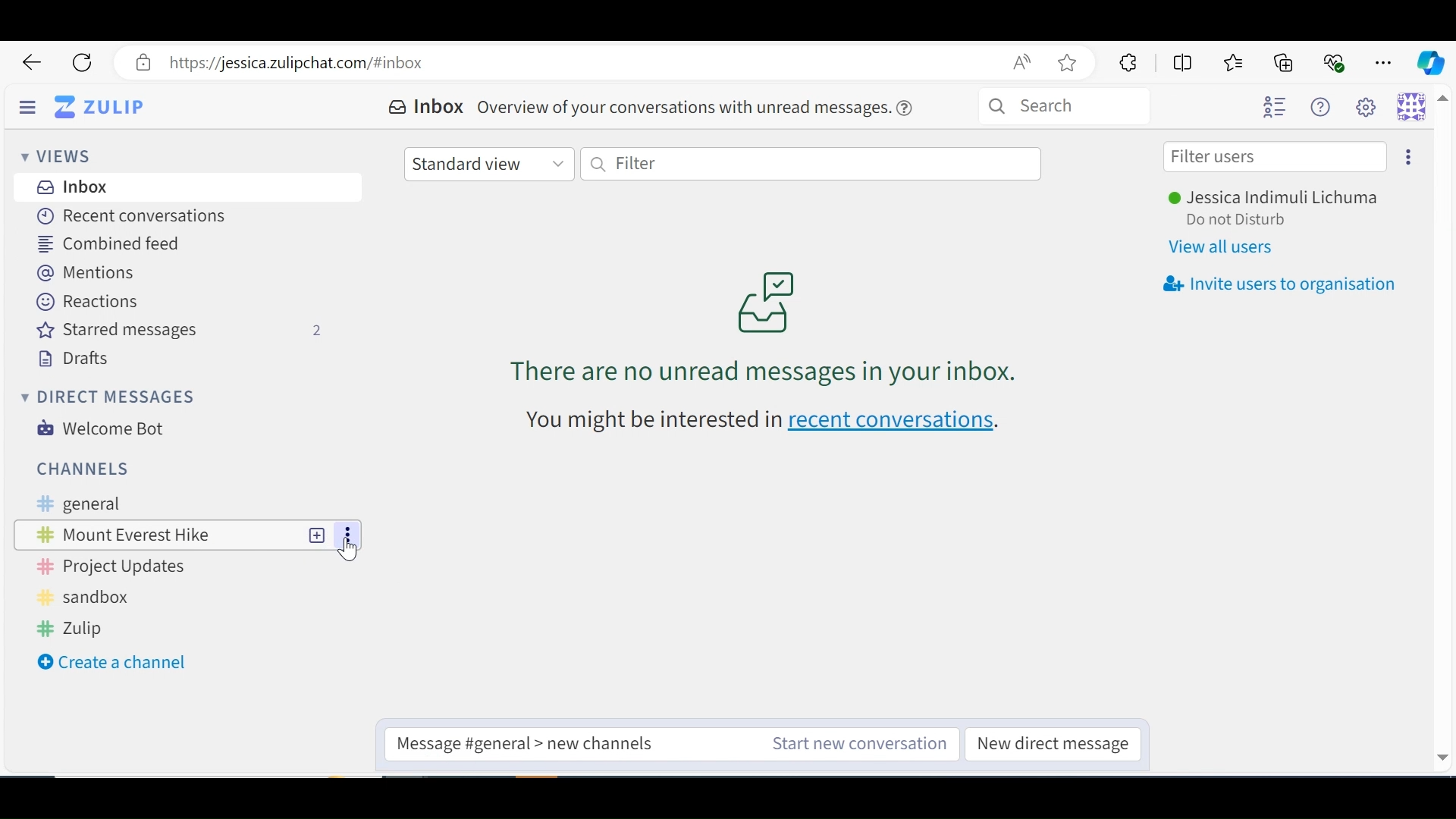  What do you see at coordinates (115, 244) in the screenshot?
I see `Combined feed` at bounding box center [115, 244].